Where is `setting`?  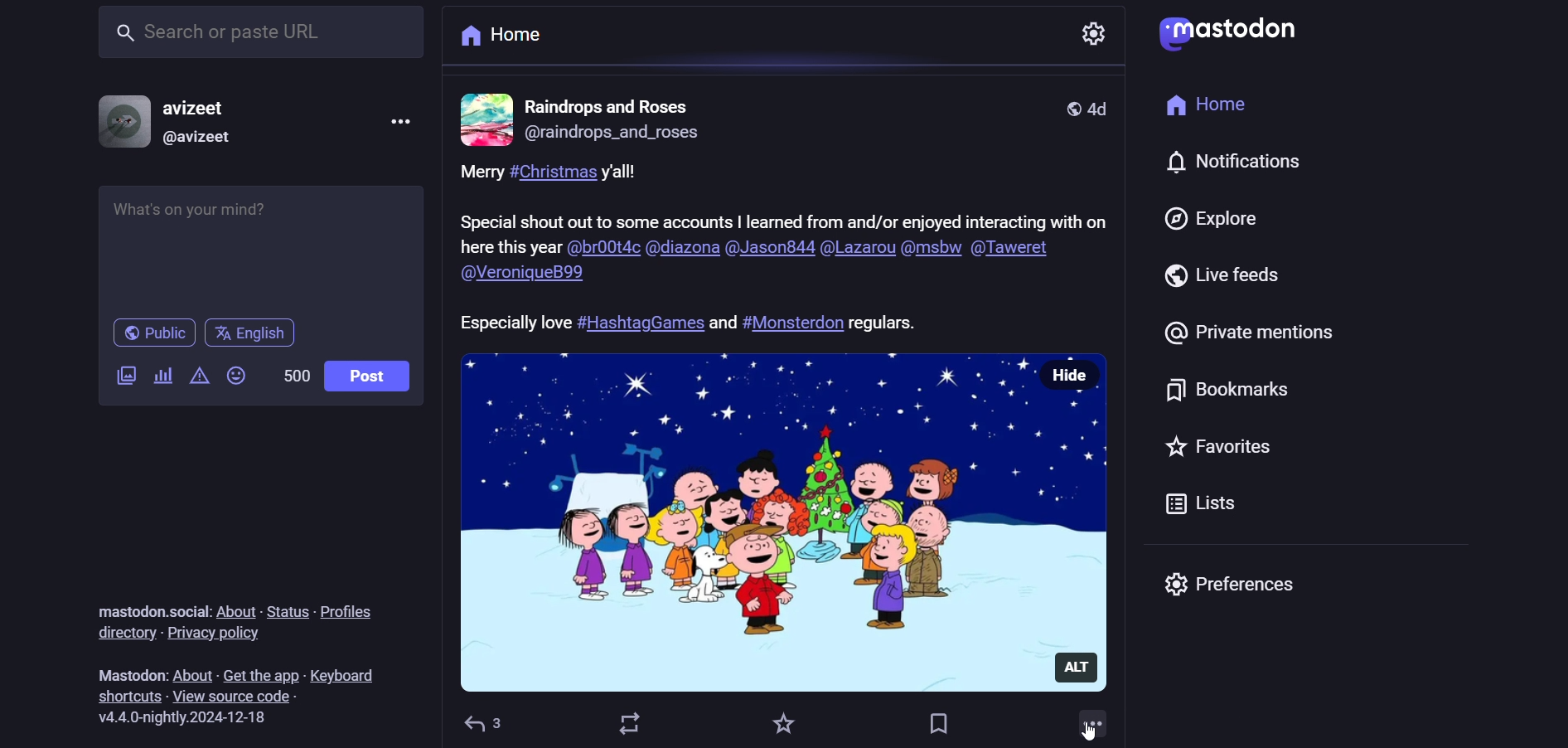 setting is located at coordinates (1092, 31).